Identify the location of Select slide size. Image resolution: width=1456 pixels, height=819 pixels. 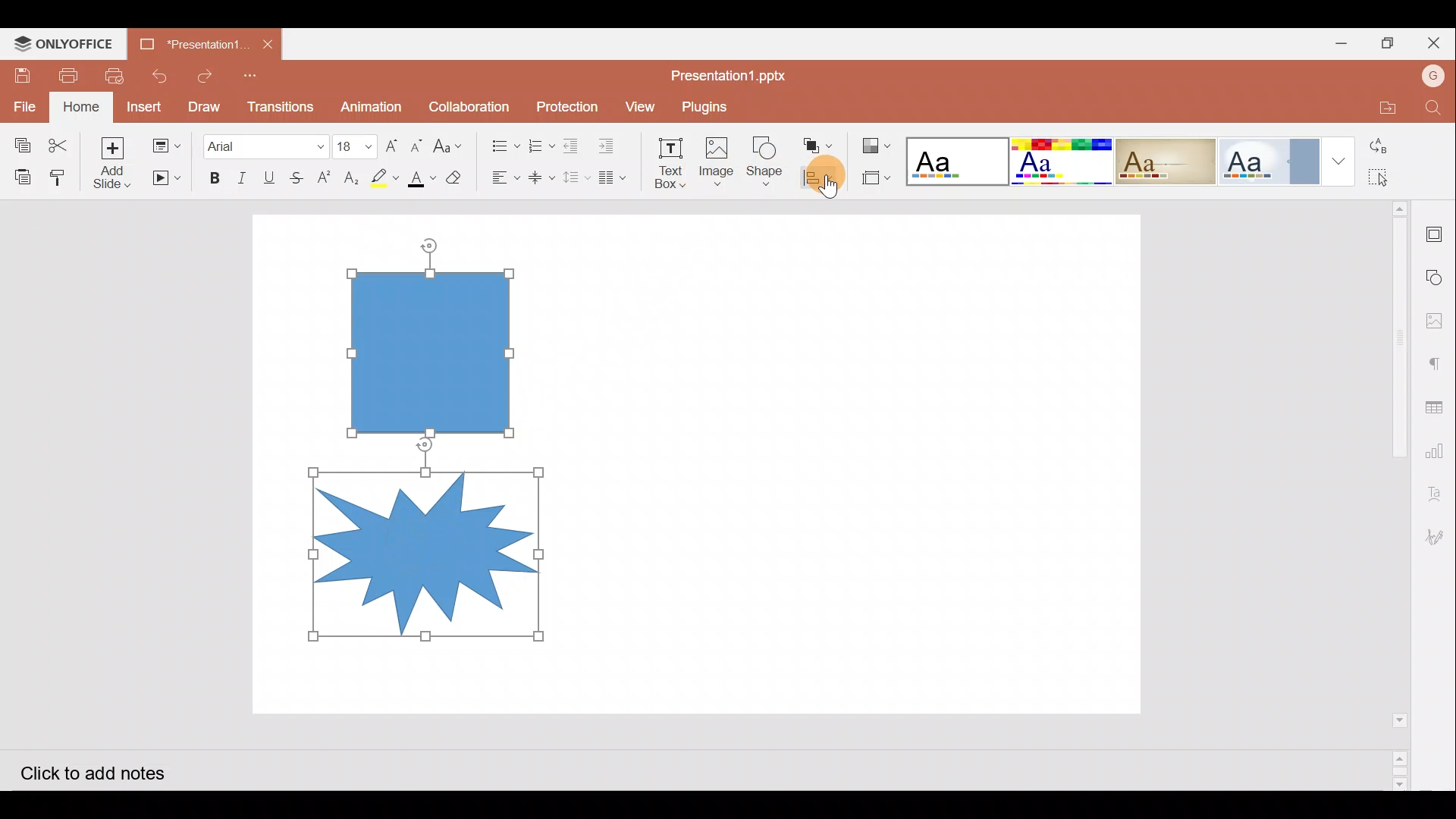
(874, 178).